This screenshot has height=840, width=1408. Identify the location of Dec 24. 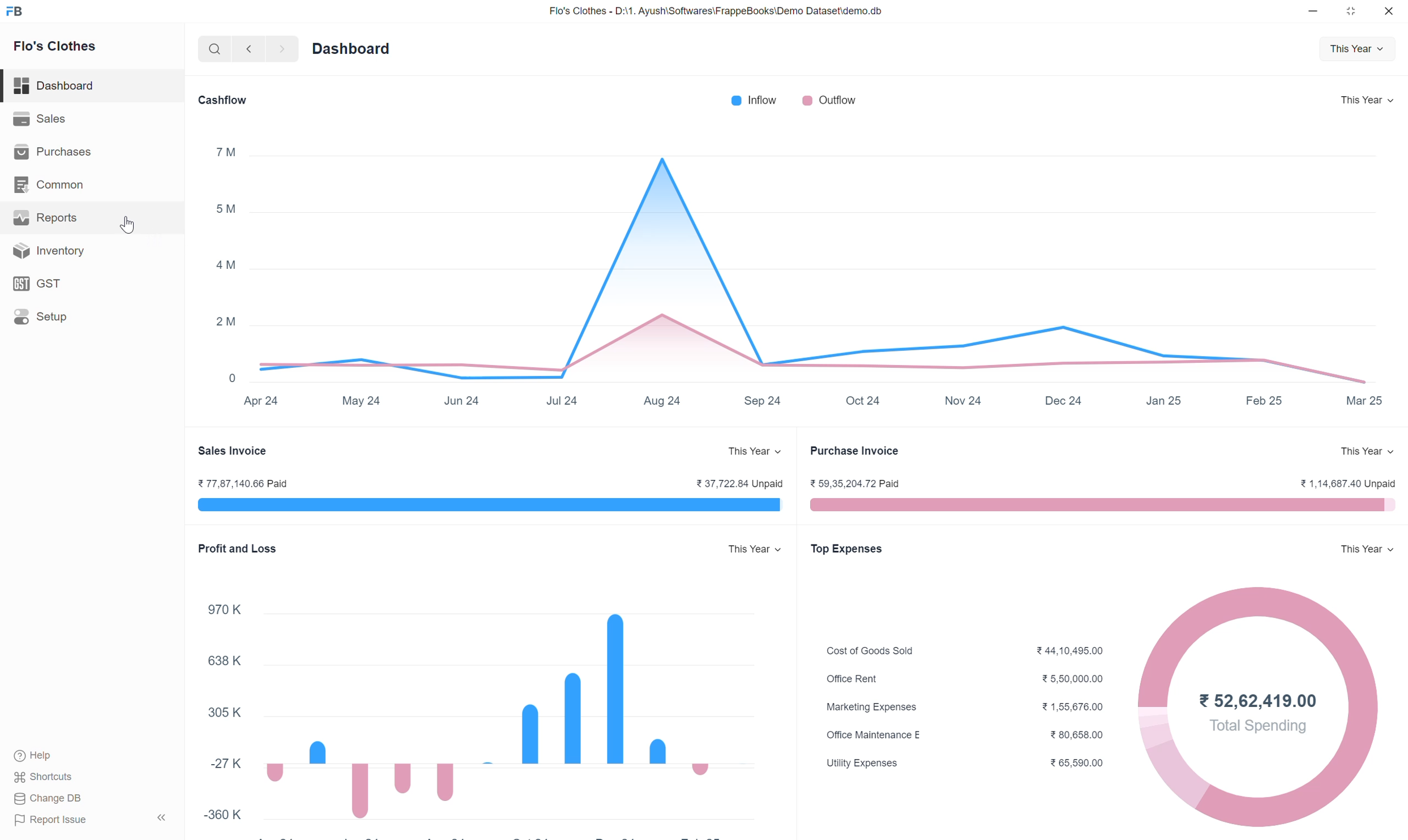
(1061, 401).